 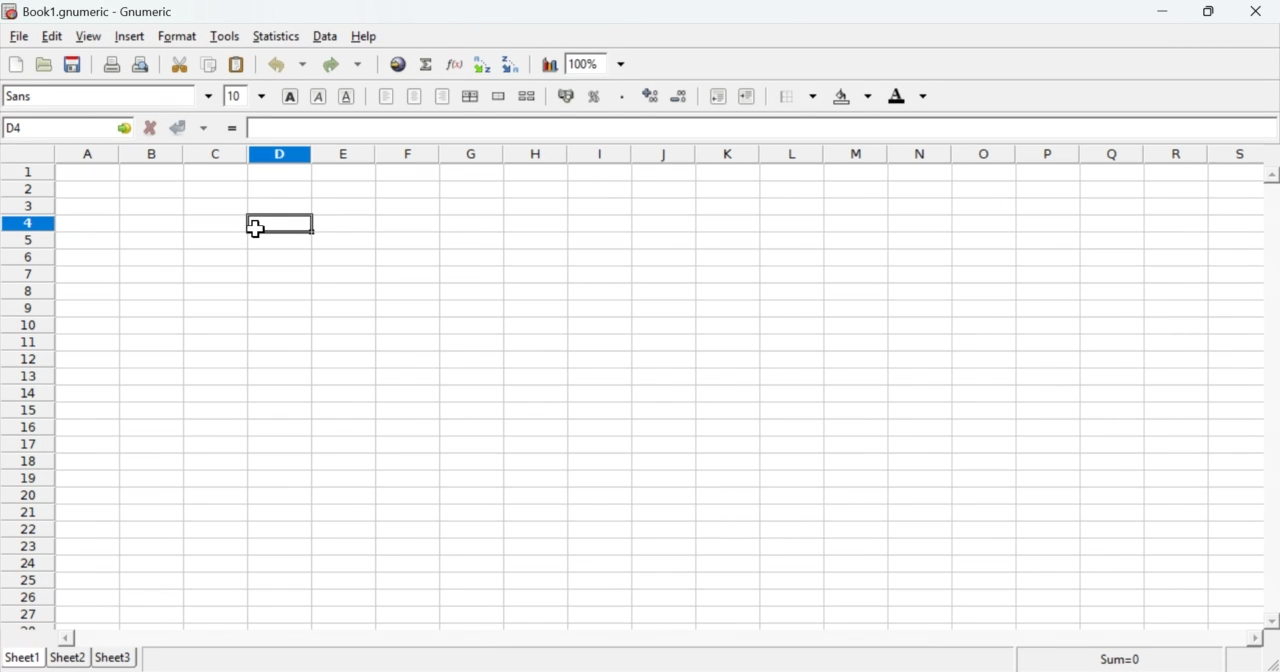 I want to click on Split cells, so click(x=528, y=96).